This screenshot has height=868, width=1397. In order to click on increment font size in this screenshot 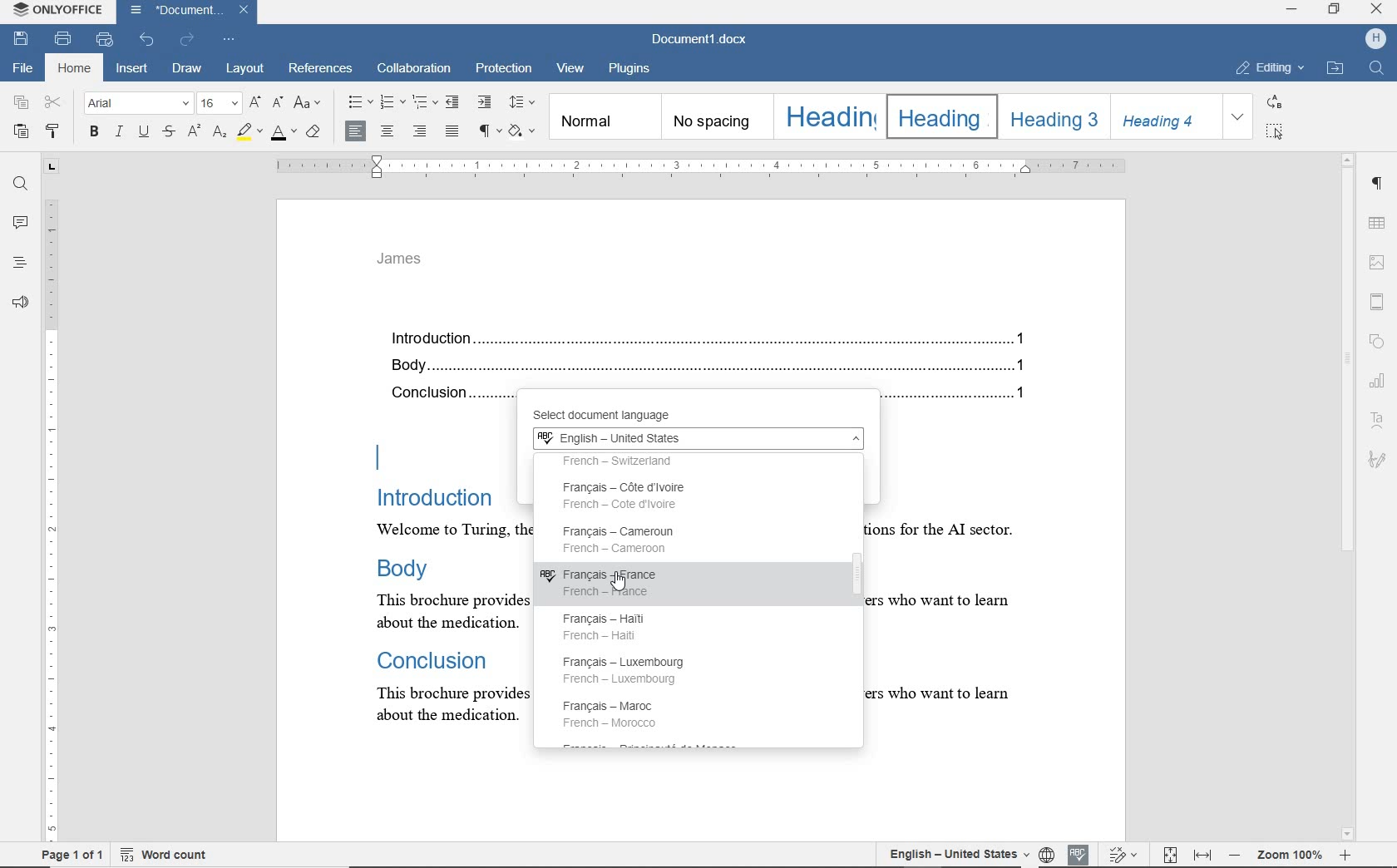, I will do `click(254, 103)`.